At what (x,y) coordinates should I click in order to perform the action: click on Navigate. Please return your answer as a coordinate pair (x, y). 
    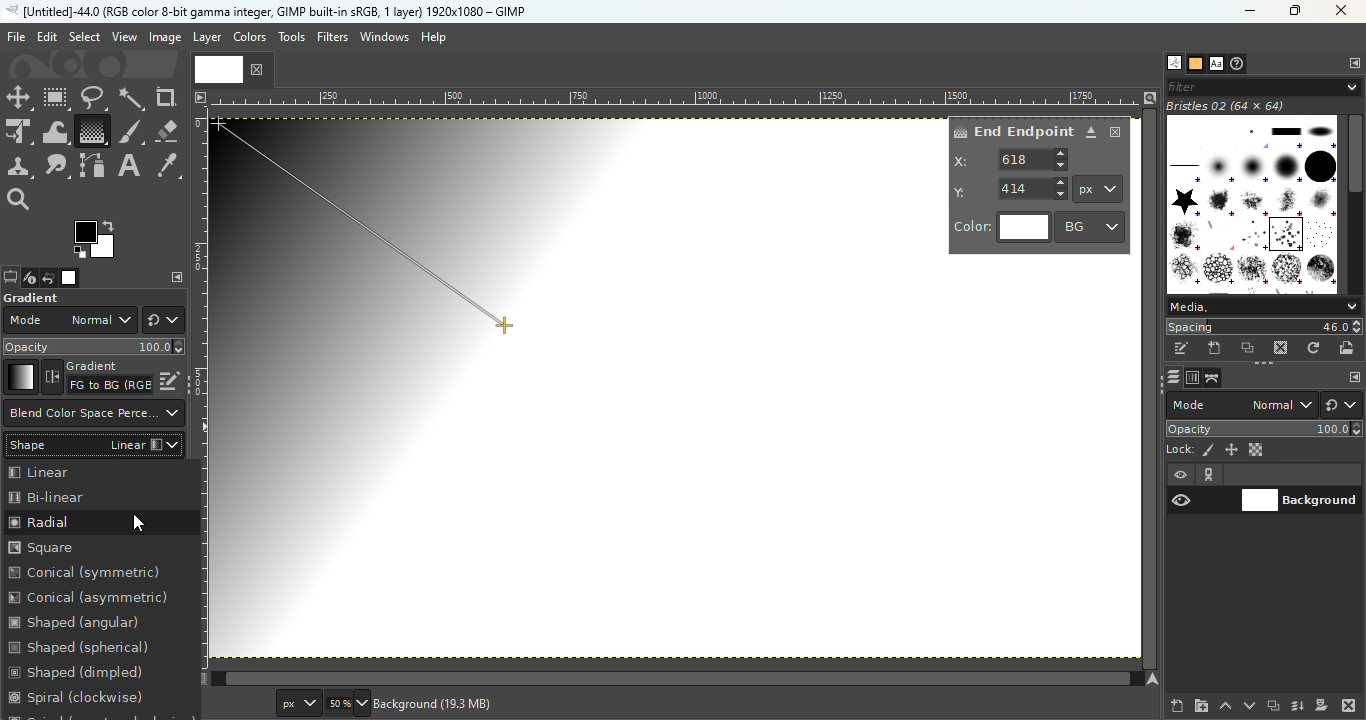
    Looking at the image, I should click on (1155, 679).